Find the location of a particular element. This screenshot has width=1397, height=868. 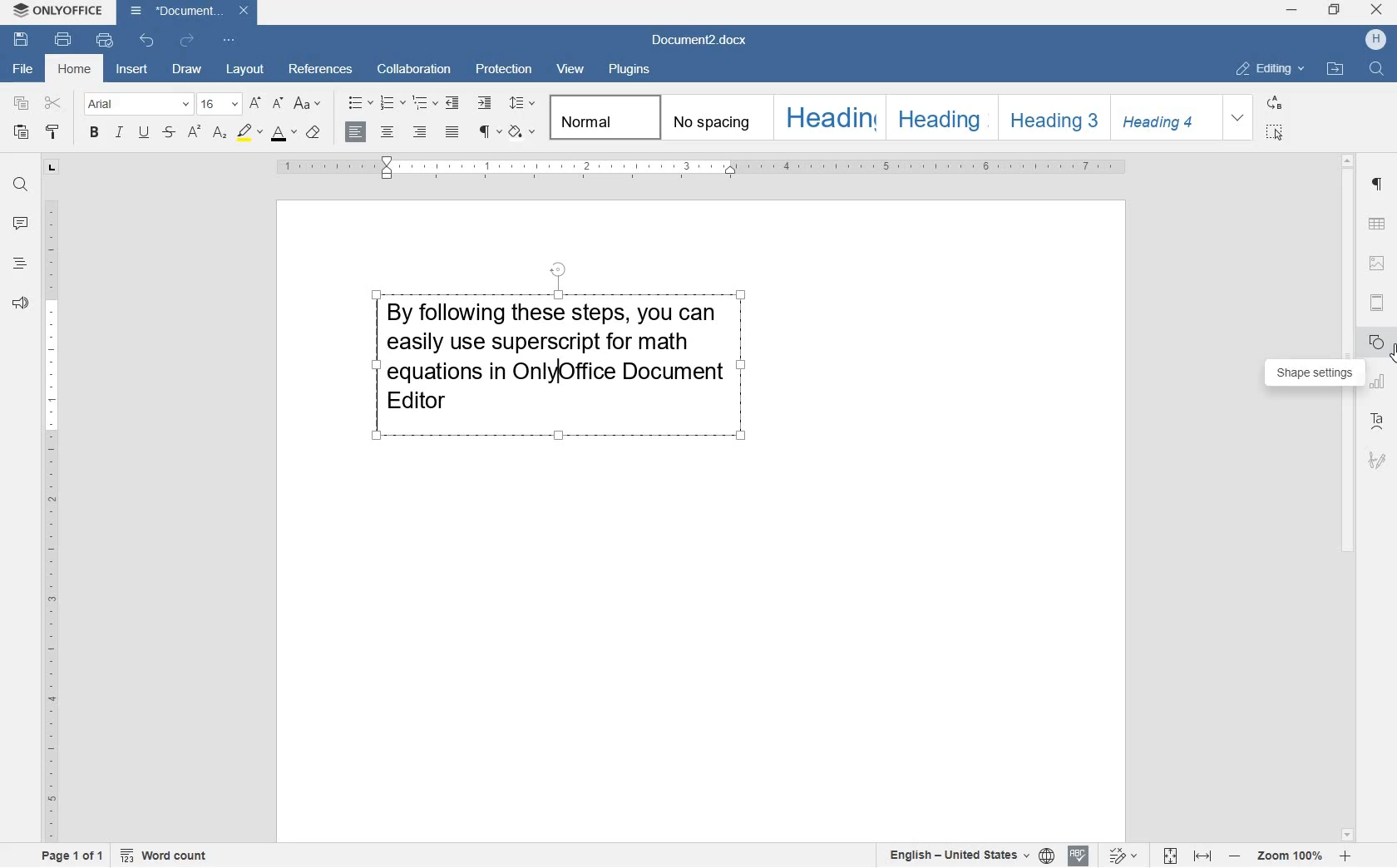

ruler is located at coordinates (704, 170).